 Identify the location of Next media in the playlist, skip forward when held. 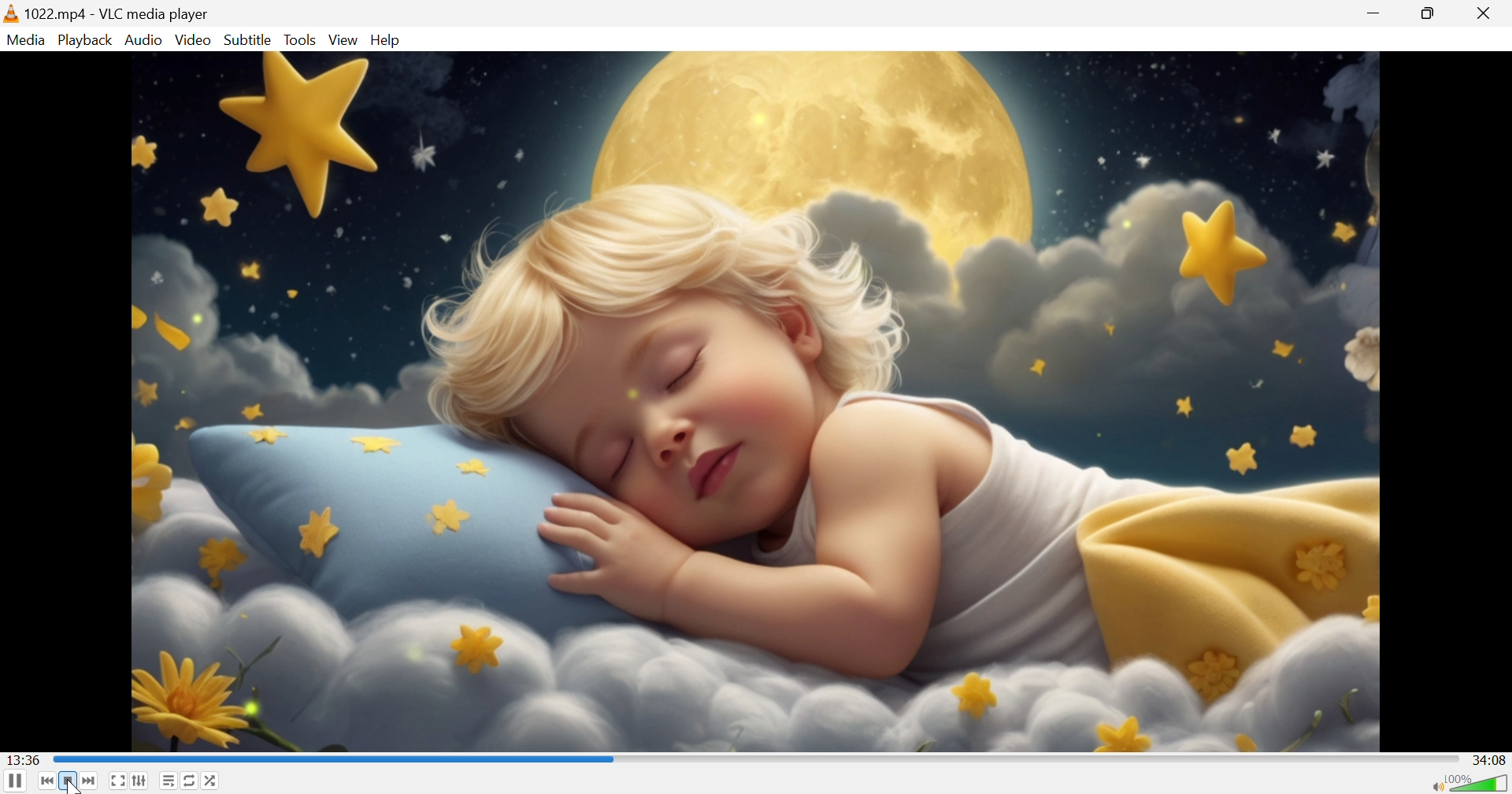
(92, 780).